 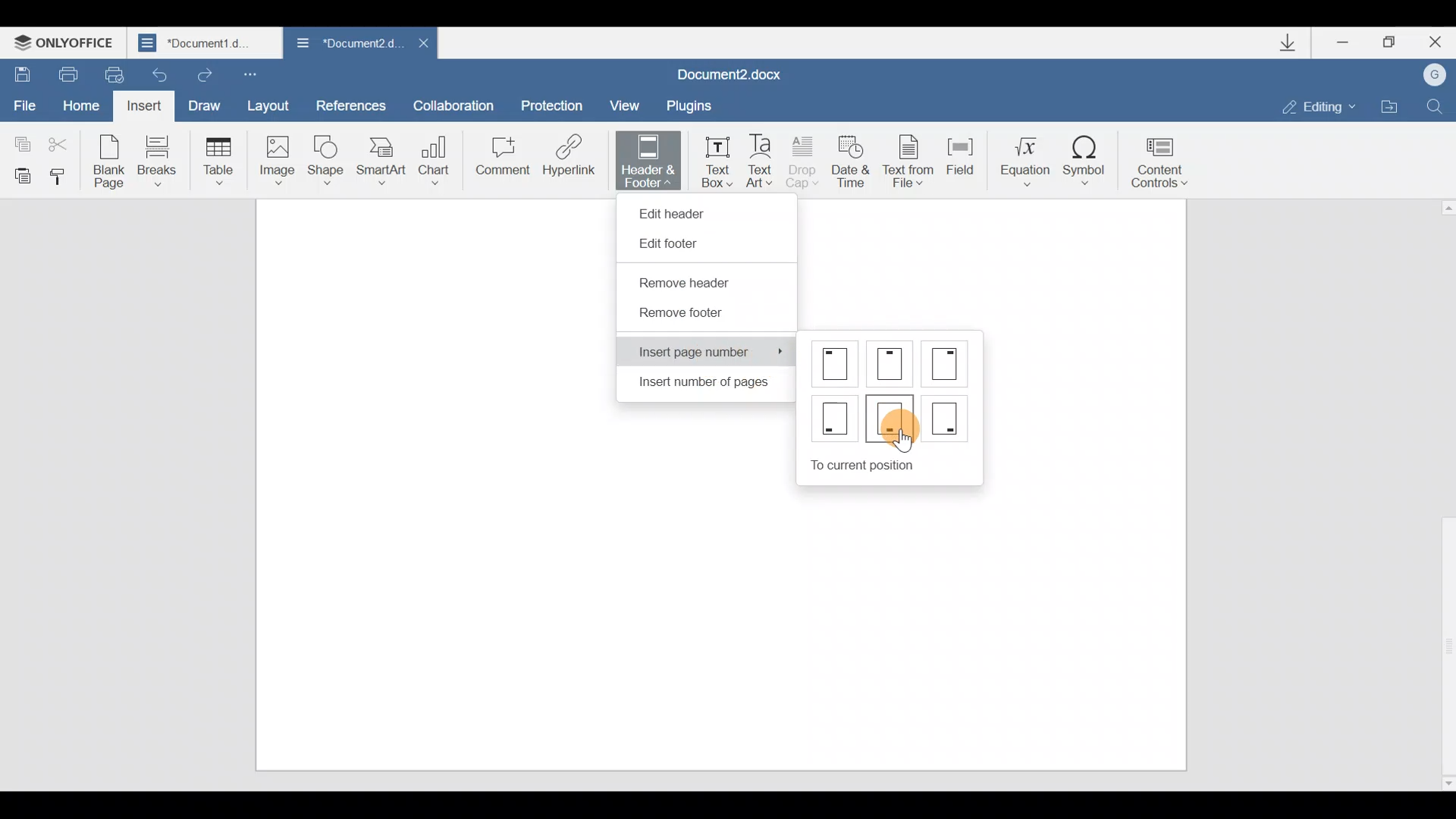 I want to click on Drop cap, so click(x=807, y=161).